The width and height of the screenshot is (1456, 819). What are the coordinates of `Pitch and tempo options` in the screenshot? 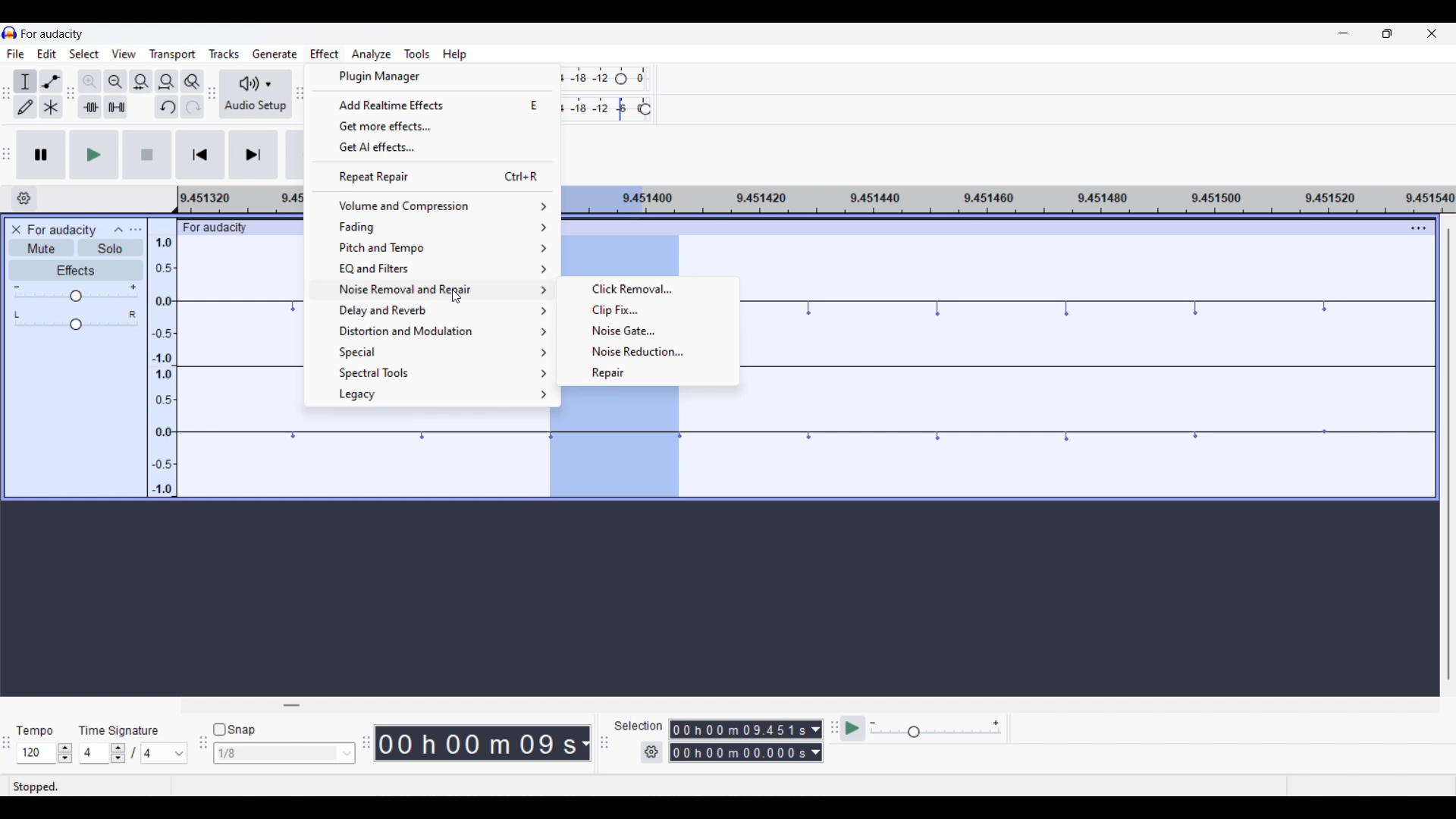 It's located at (433, 248).